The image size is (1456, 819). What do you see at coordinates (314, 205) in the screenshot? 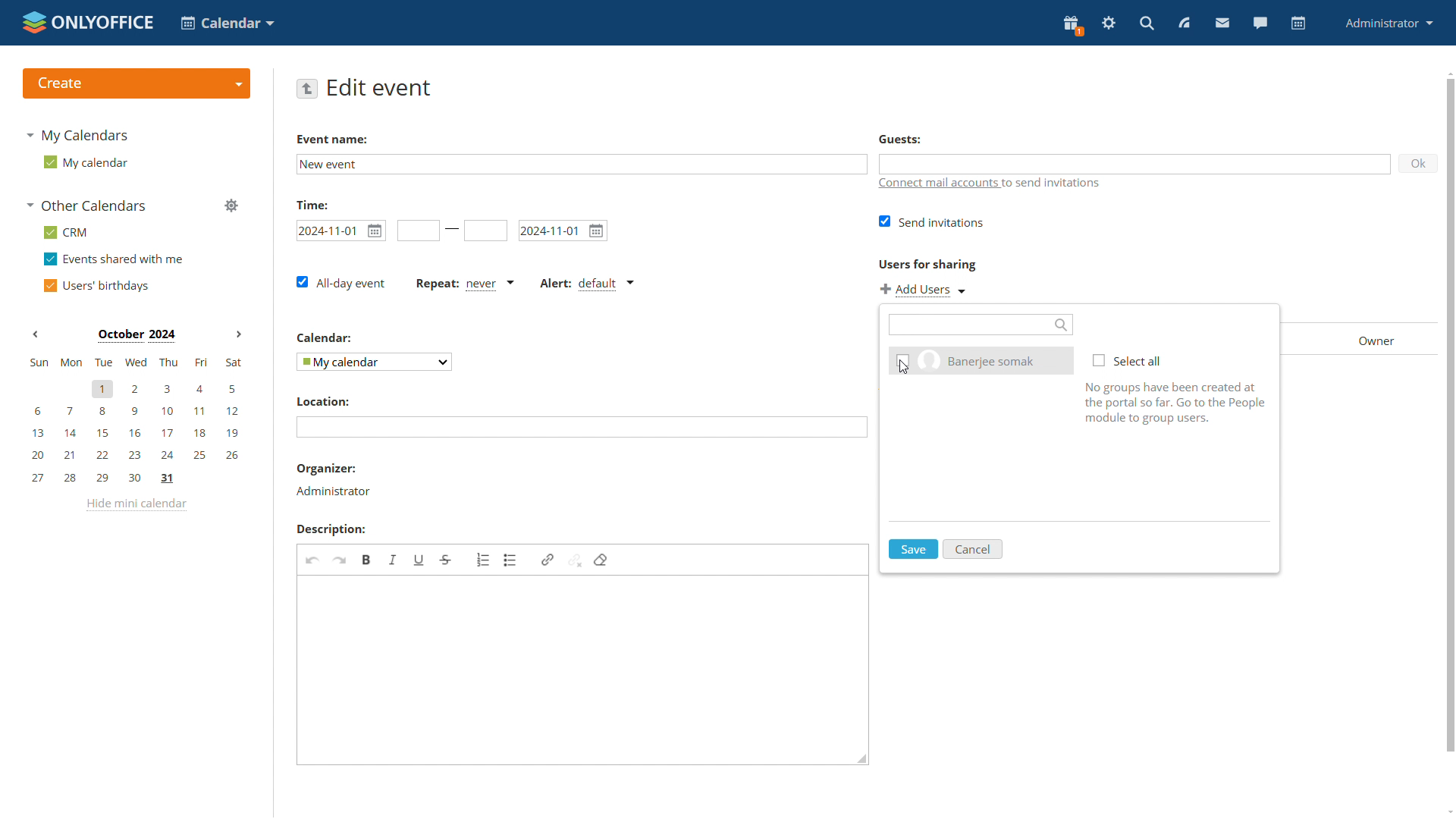
I see `time` at bounding box center [314, 205].